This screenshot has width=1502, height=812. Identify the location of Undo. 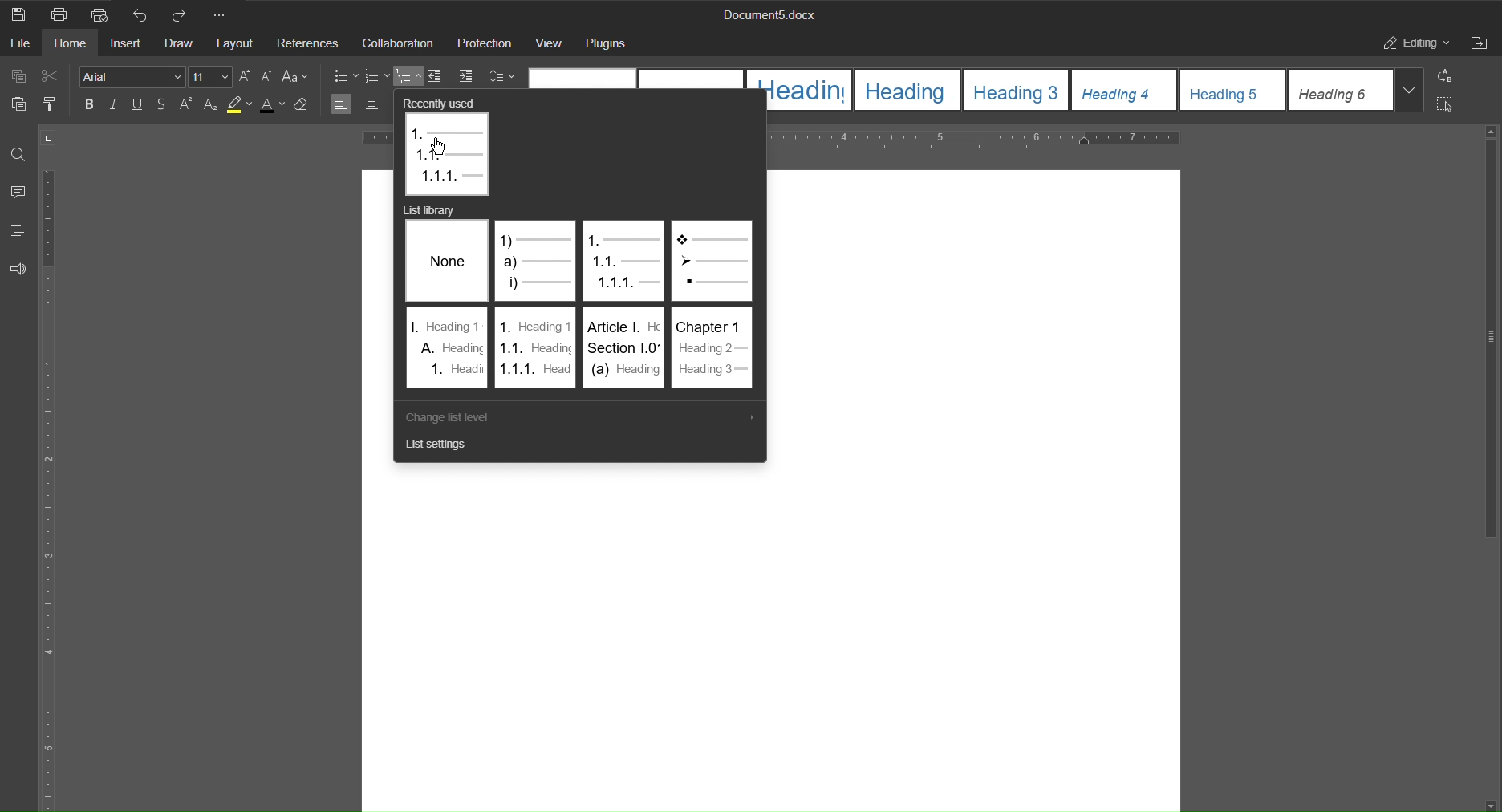
(142, 14).